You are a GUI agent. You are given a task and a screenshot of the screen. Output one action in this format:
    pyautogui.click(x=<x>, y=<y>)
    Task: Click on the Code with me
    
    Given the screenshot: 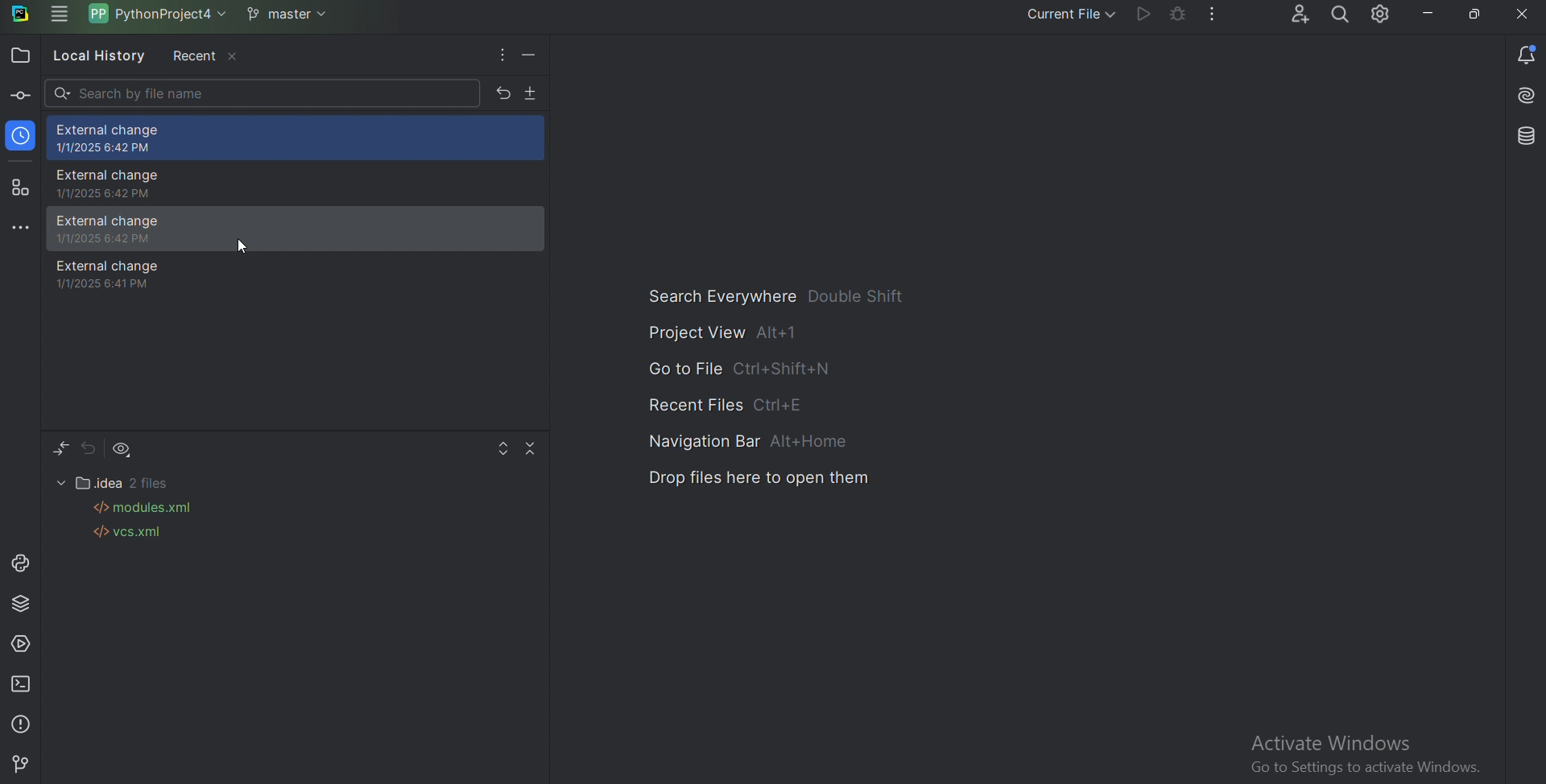 What is the action you would take?
    pyautogui.click(x=1297, y=14)
    